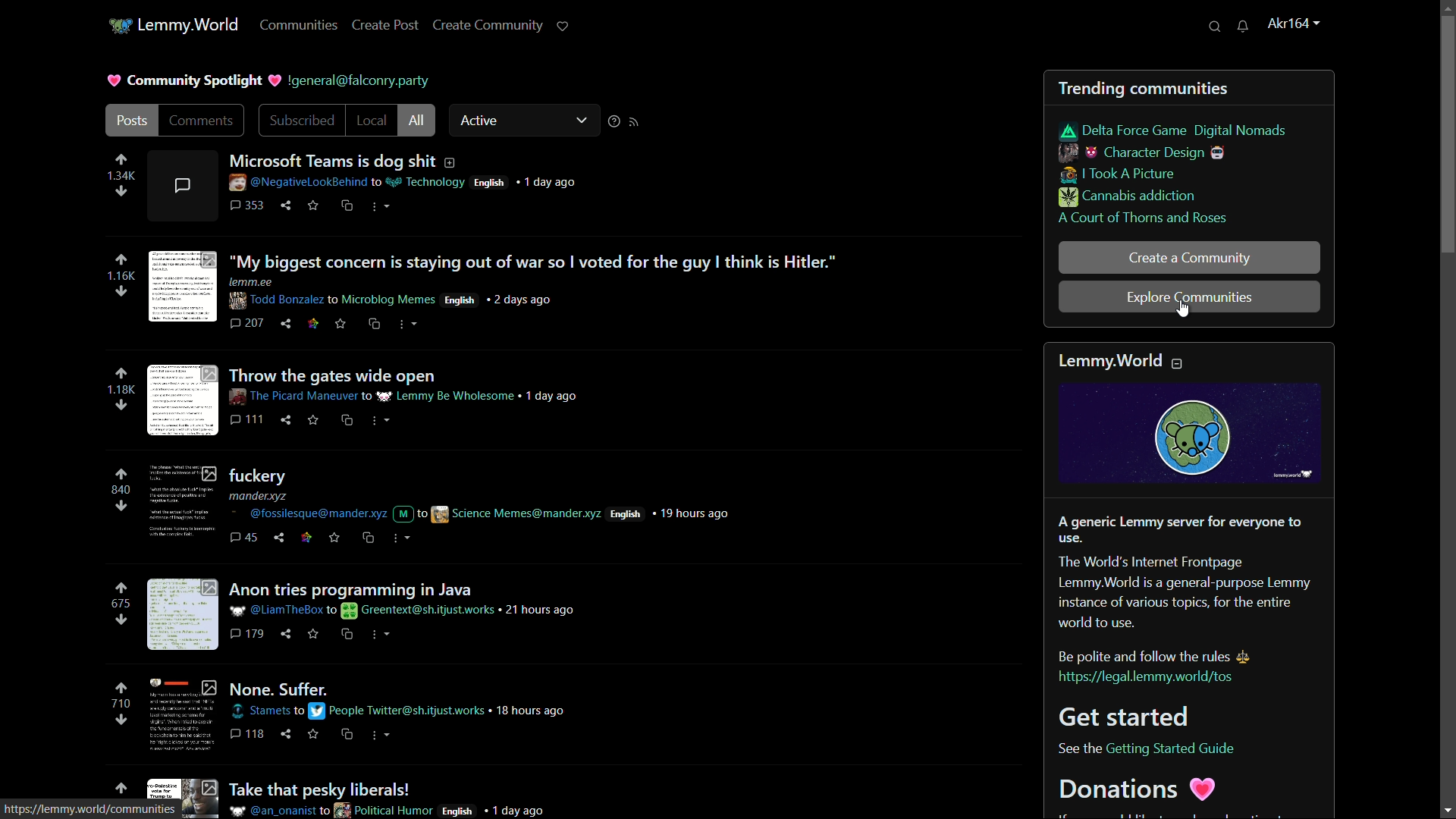 Image resolution: width=1456 pixels, height=819 pixels. What do you see at coordinates (403, 537) in the screenshot?
I see `more` at bounding box center [403, 537].